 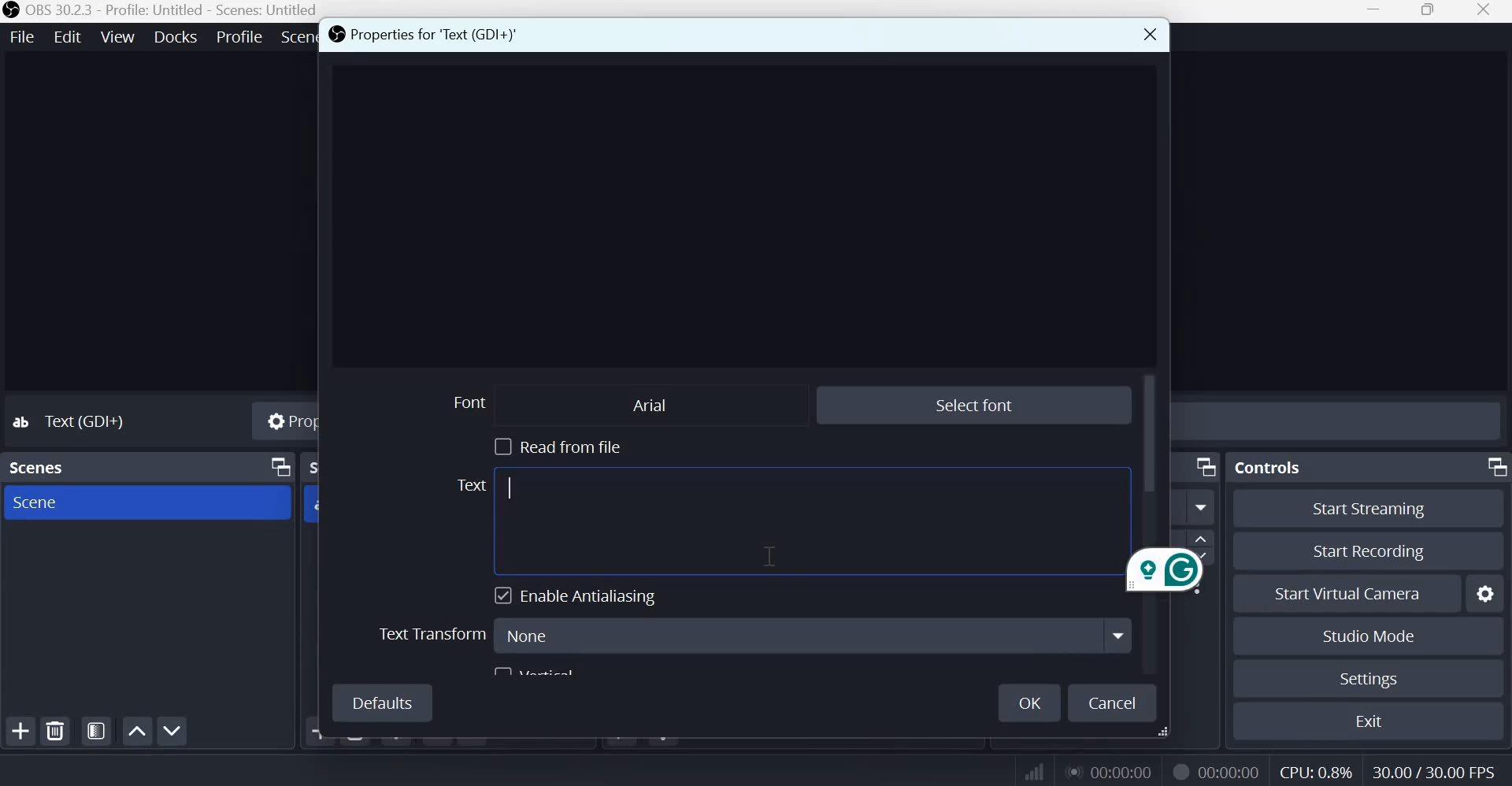 What do you see at coordinates (556, 445) in the screenshot?
I see `Read from file` at bounding box center [556, 445].